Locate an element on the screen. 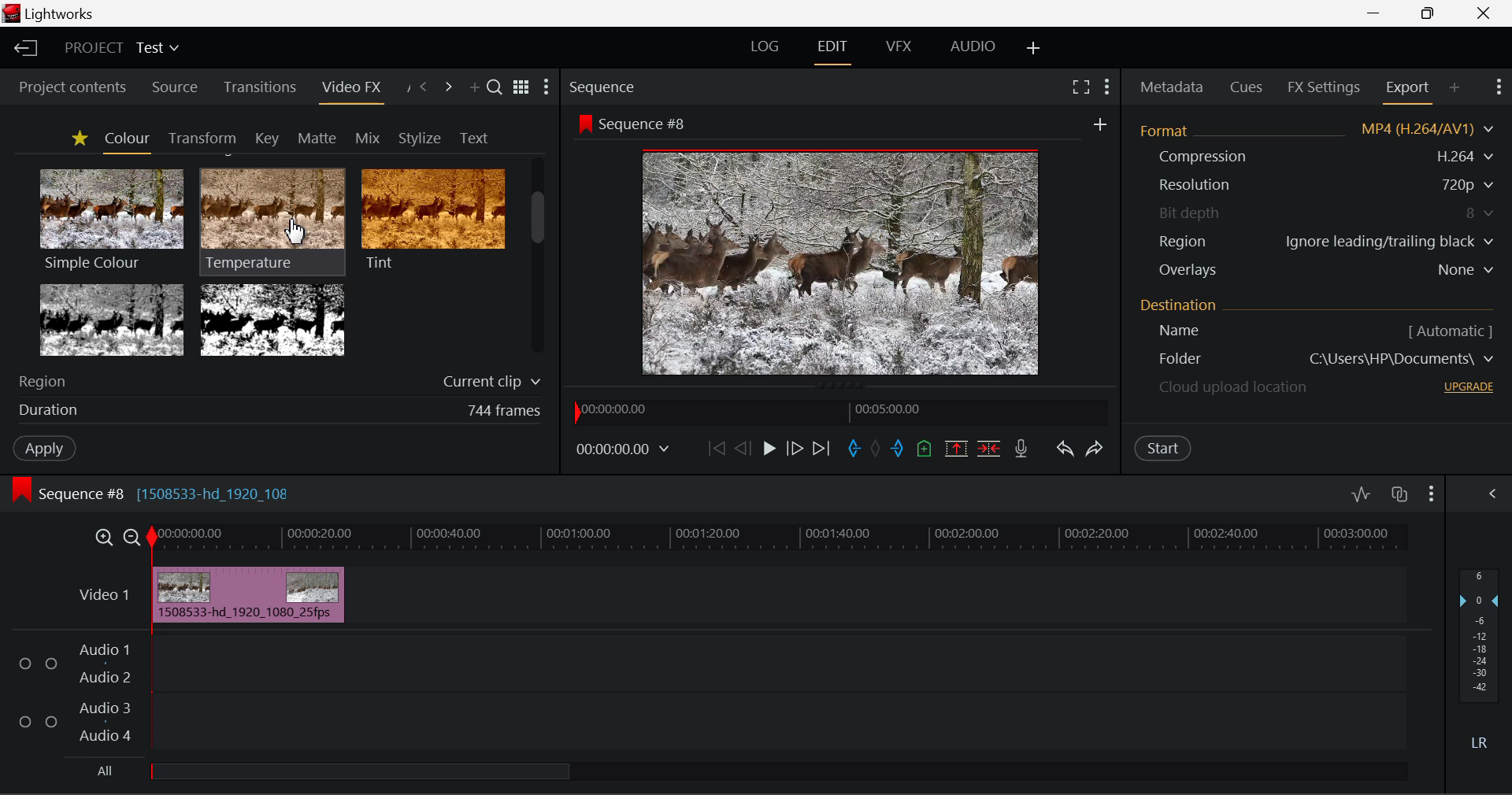 The height and width of the screenshot is (795, 1512). Toggle auto track sync is located at coordinates (1399, 494).